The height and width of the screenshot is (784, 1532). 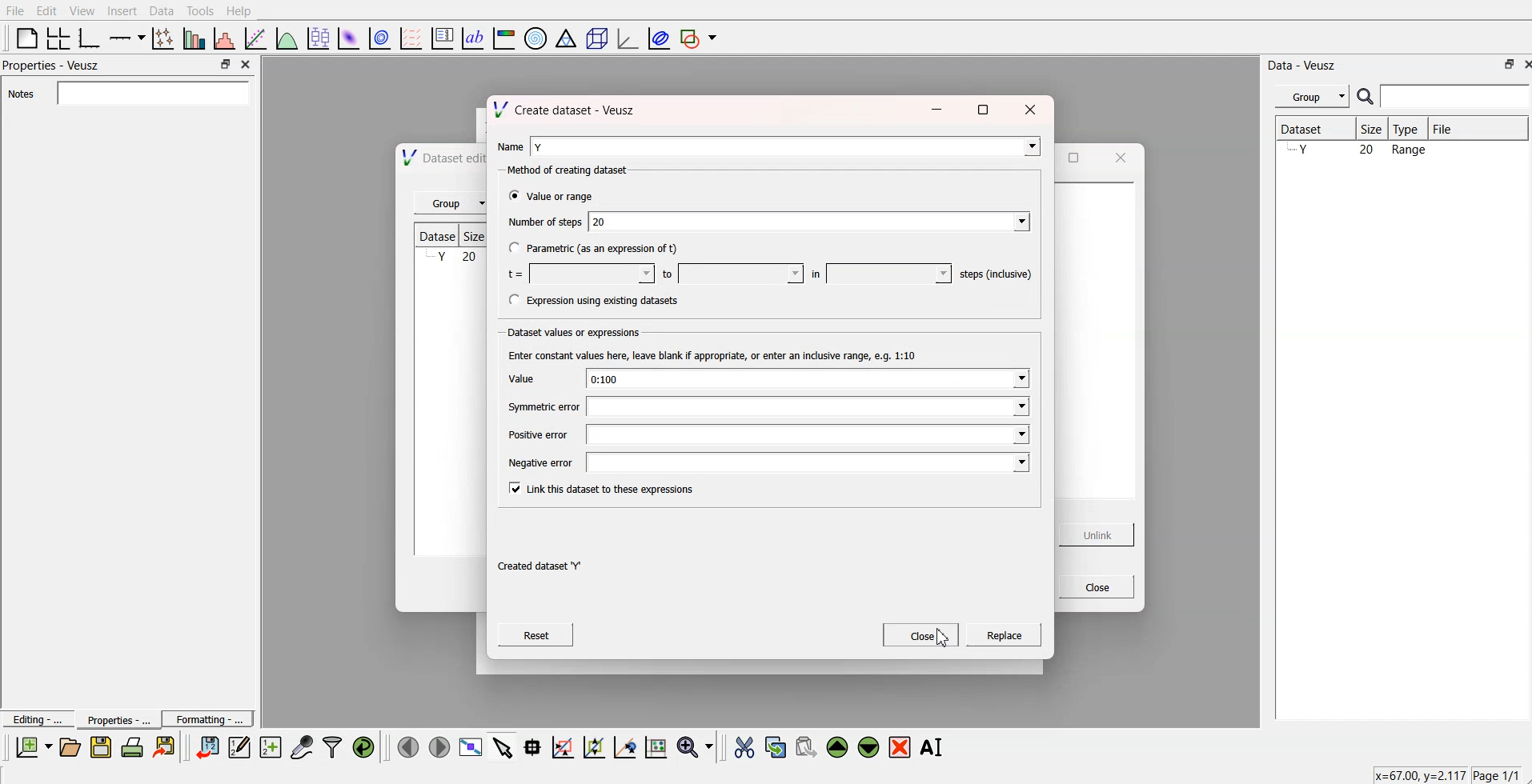 What do you see at coordinates (656, 37) in the screenshot?
I see `plot covariance ellipses` at bounding box center [656, 37].